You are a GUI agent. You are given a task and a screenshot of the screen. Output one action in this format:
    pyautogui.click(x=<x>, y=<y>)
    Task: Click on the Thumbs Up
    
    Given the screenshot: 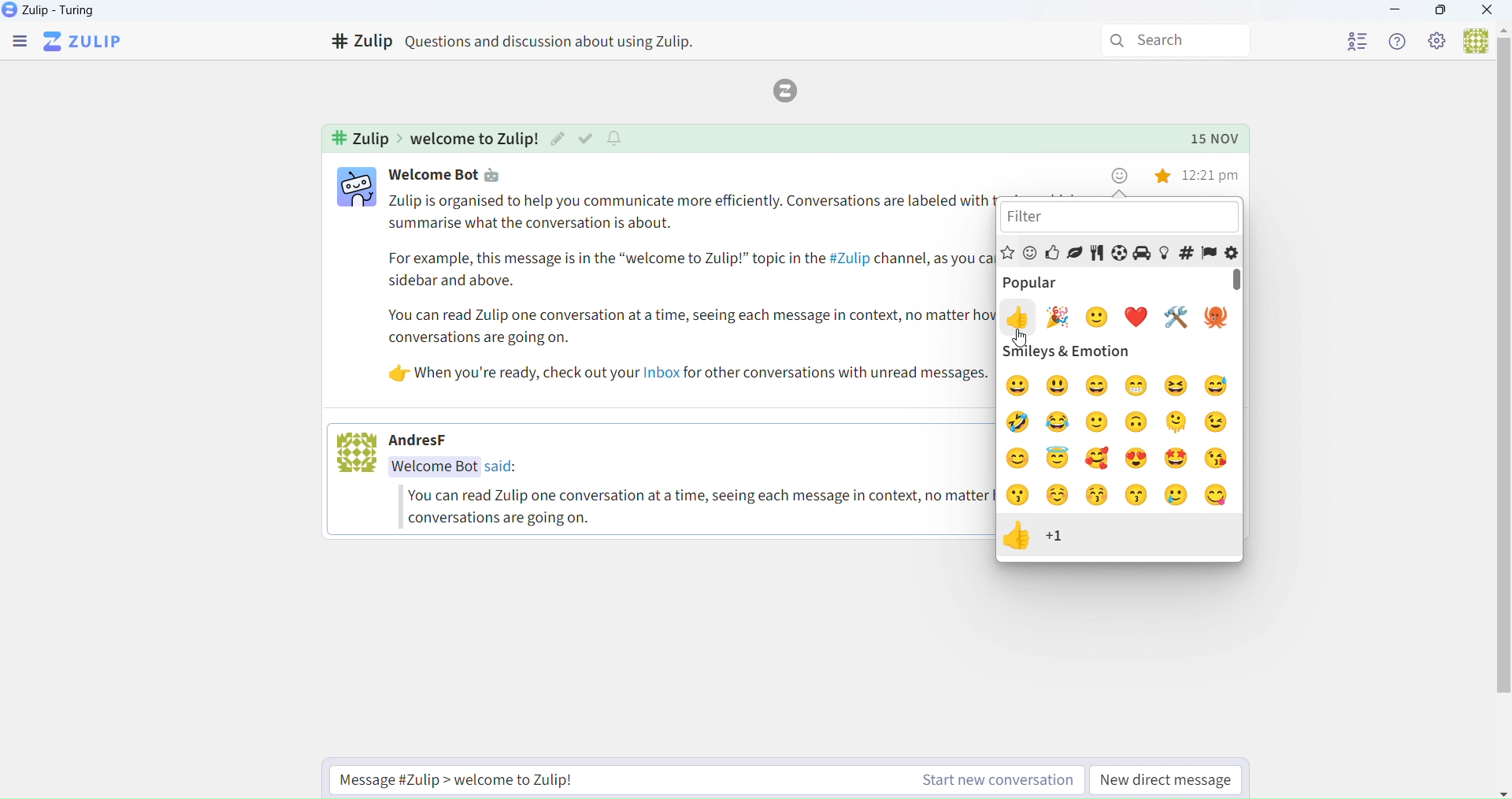 What is the action you would take?
    pyautogui.click(x=1037, y=539)
    